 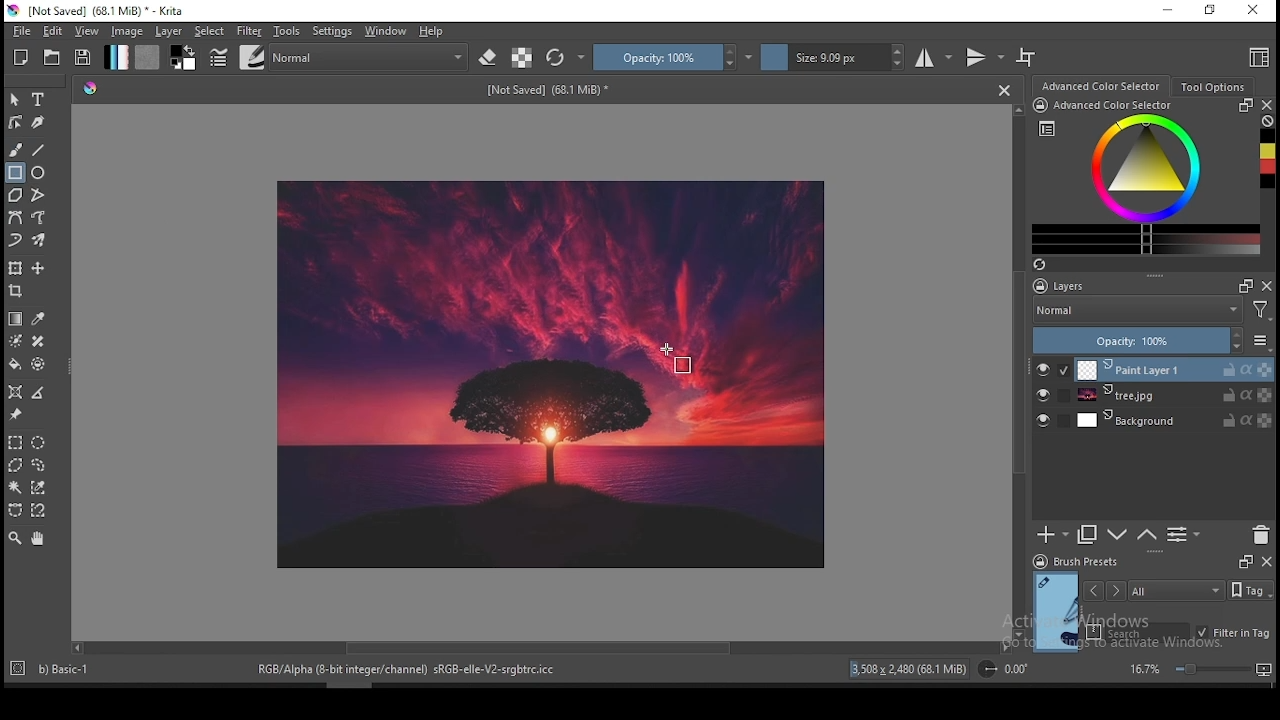 I want to click on advance color selector, so click(x=1099, y=86).